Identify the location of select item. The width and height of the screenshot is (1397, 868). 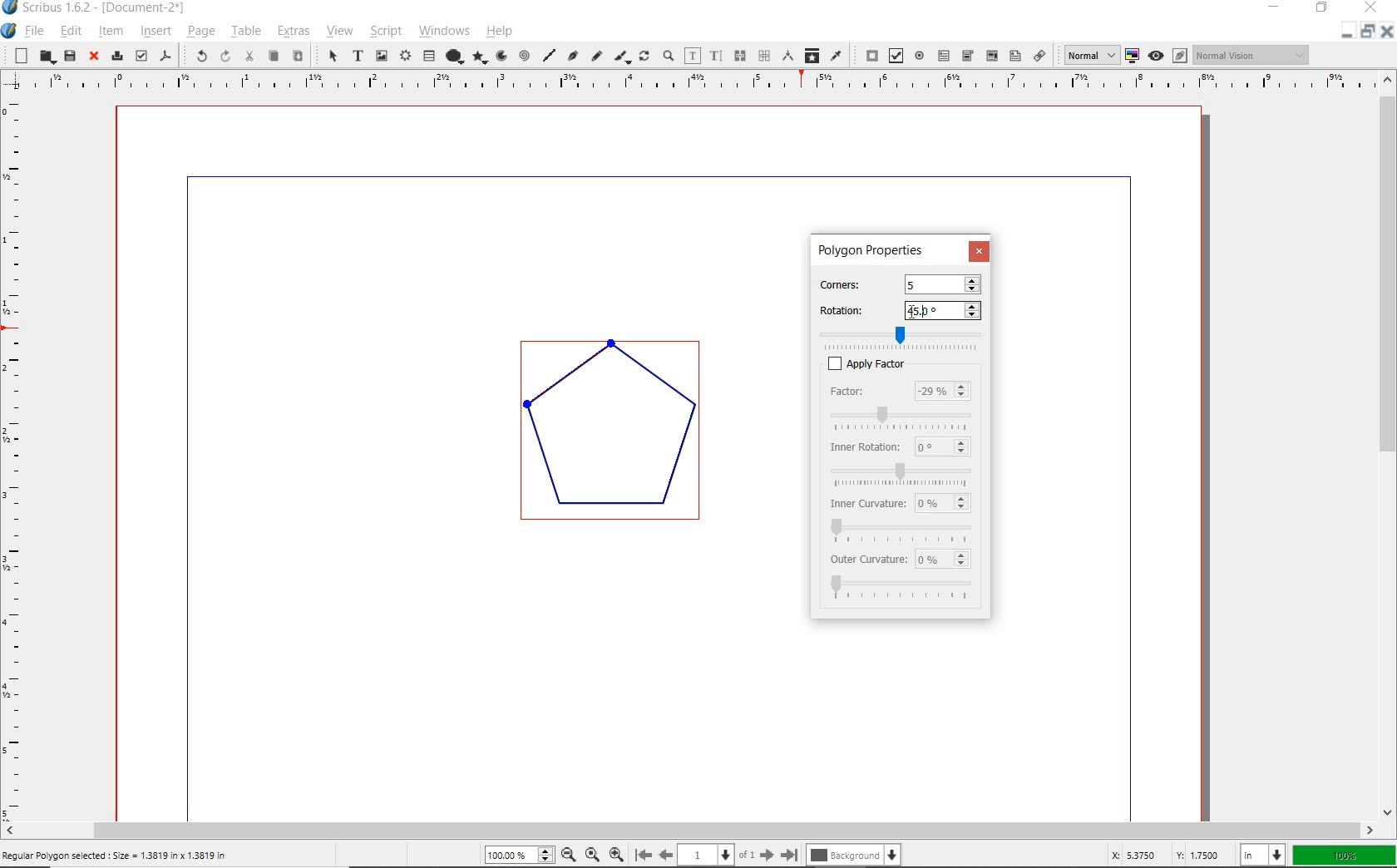
(330, 56).